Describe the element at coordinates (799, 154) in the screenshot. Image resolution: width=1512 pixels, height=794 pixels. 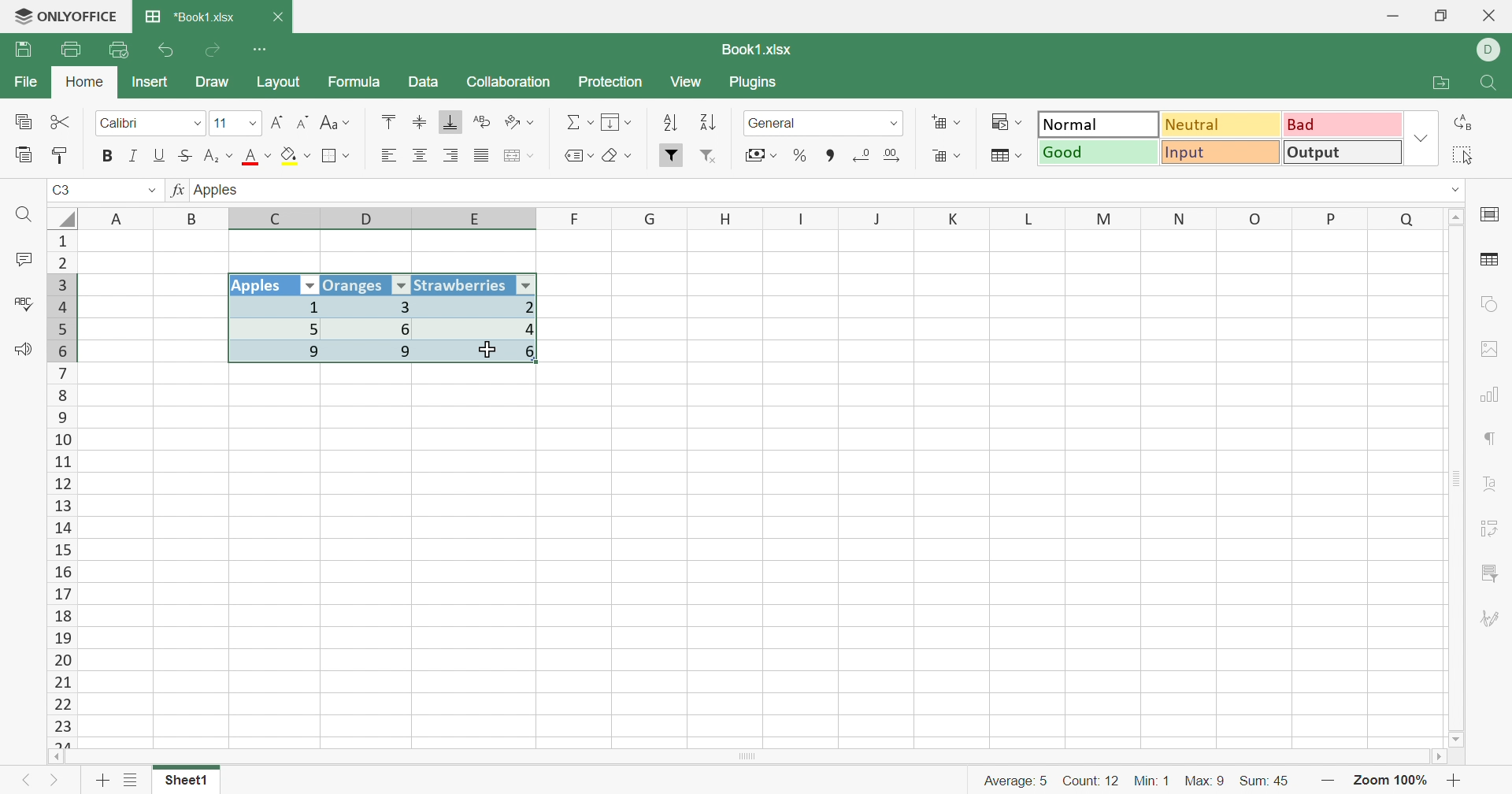
I see `Percentage style` at that location.